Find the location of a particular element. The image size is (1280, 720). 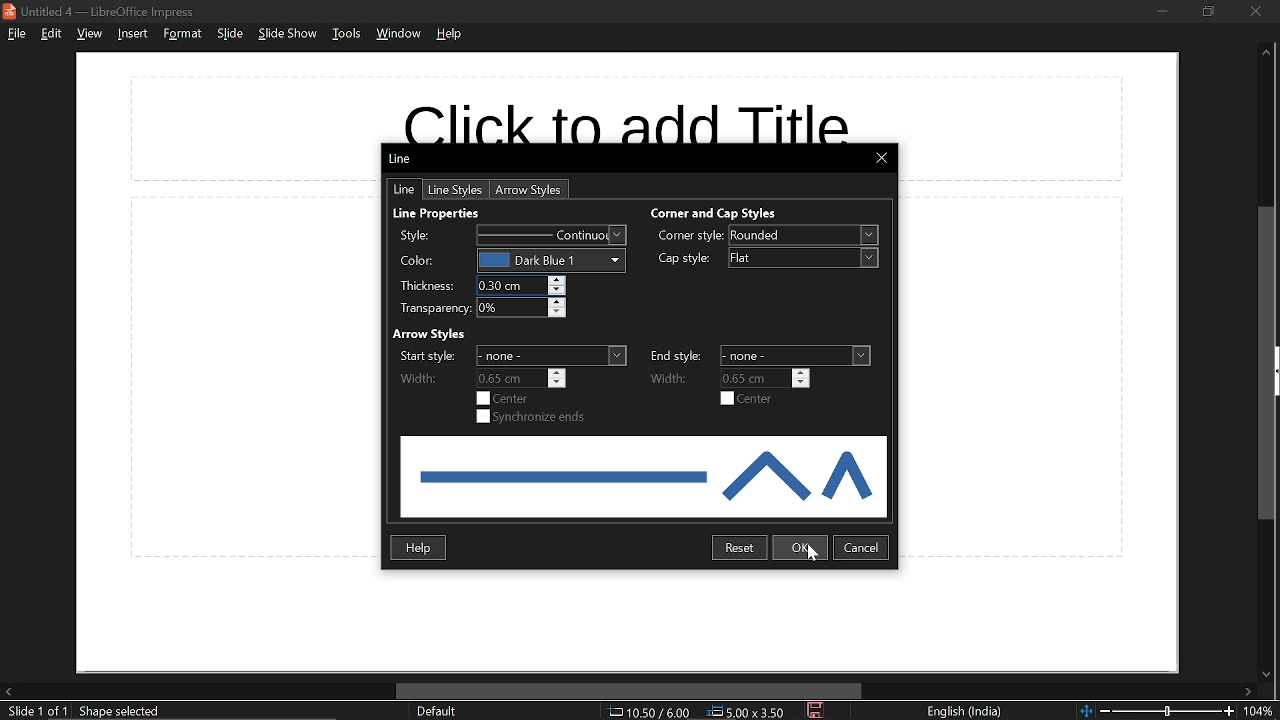

minimize is located at coordinates (1158, 10).